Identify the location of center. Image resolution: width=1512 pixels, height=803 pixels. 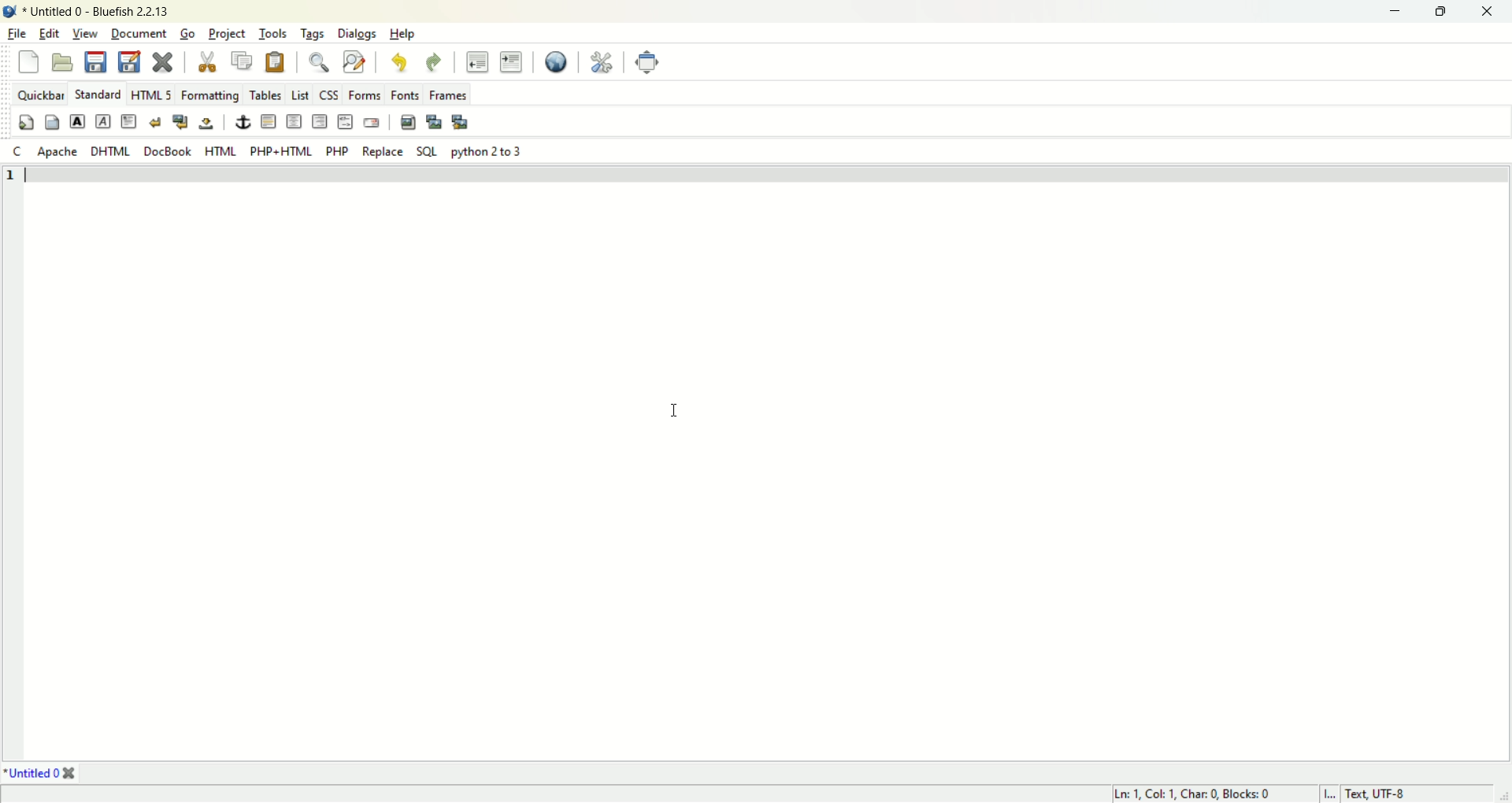
(294, 121).